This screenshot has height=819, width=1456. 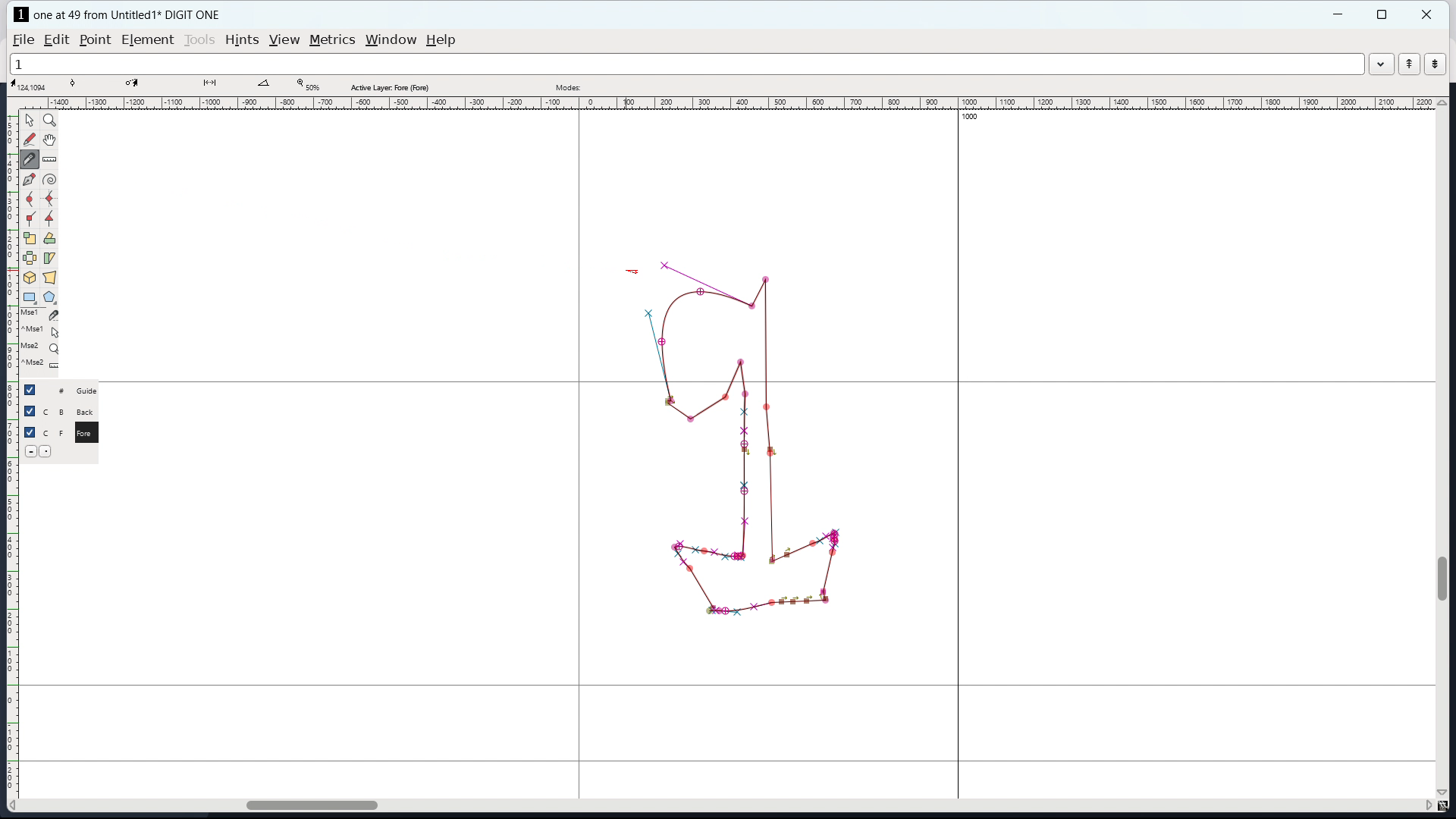 What do you see at coordinates (633, 272) in the screenshot?
I see `cursor` at bounding box center [633, 272].